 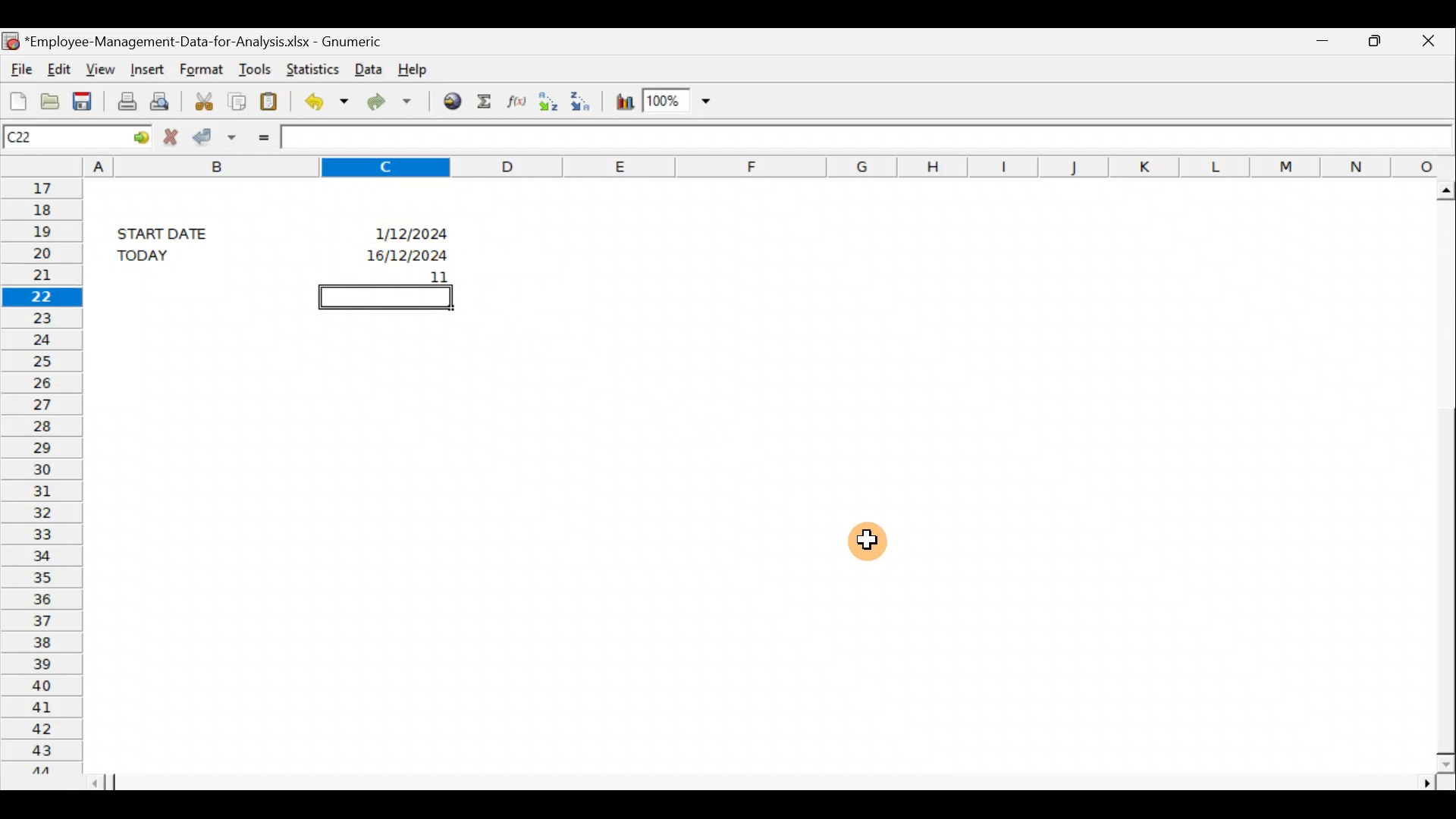 I want to click on Edit a function in the current cell, so click(x=514, y=102).